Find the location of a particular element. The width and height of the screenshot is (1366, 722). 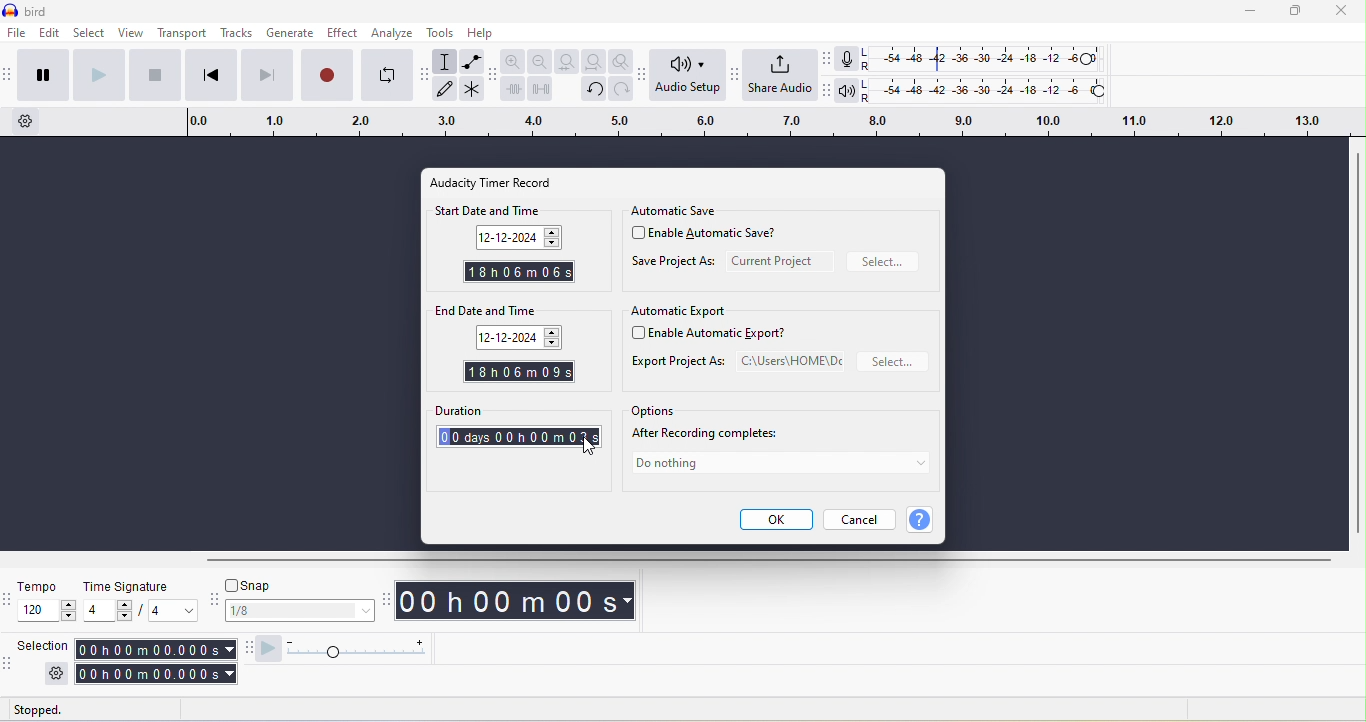

audacity tools toolbar is located at coordinates (426, 78).